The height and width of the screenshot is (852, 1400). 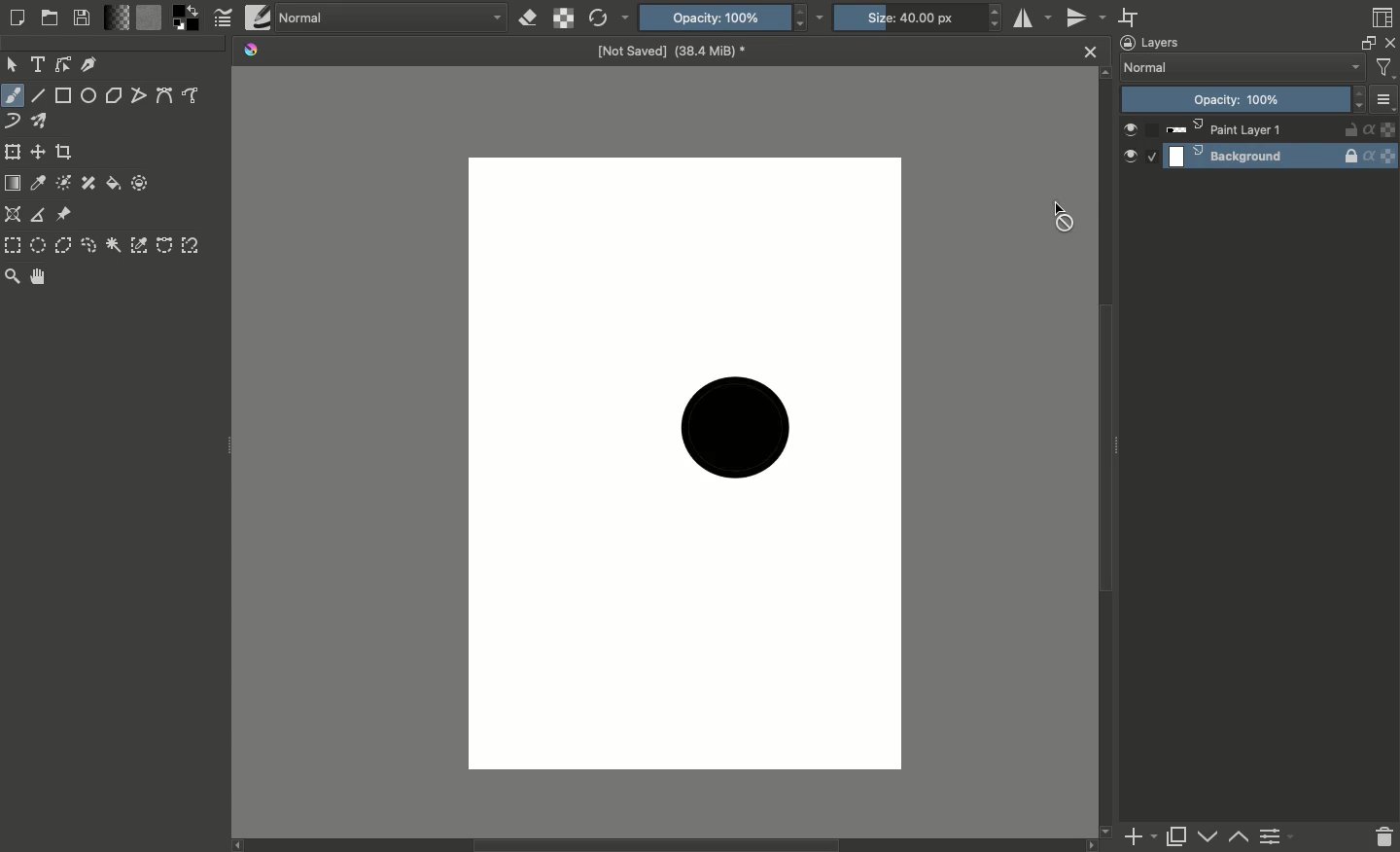 What do you see at coordinates (1252, 154) in the screenshot?
I see `Background layer` at bounding box center [1252, 154].